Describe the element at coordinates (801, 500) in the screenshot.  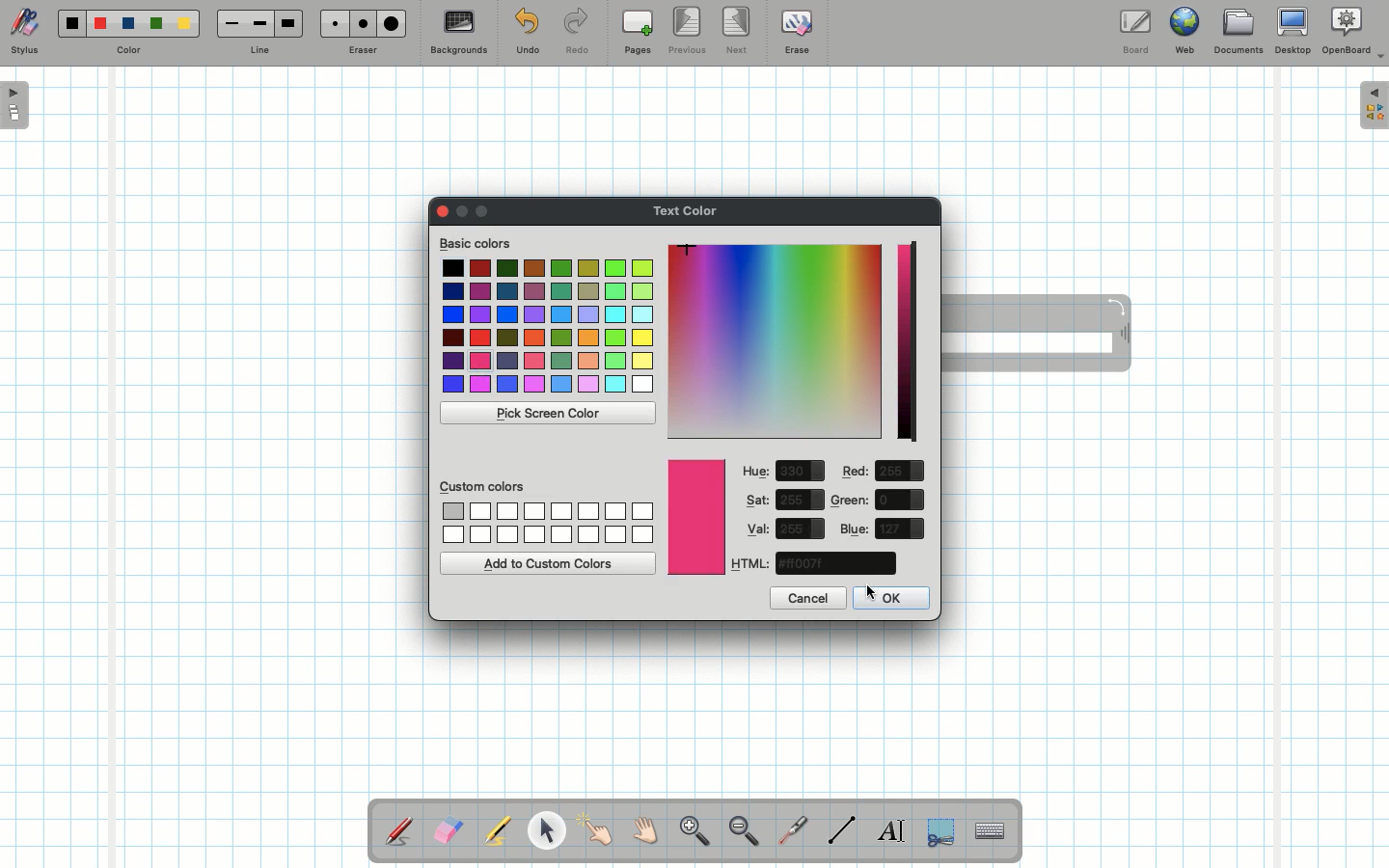
I see `value` at that location.